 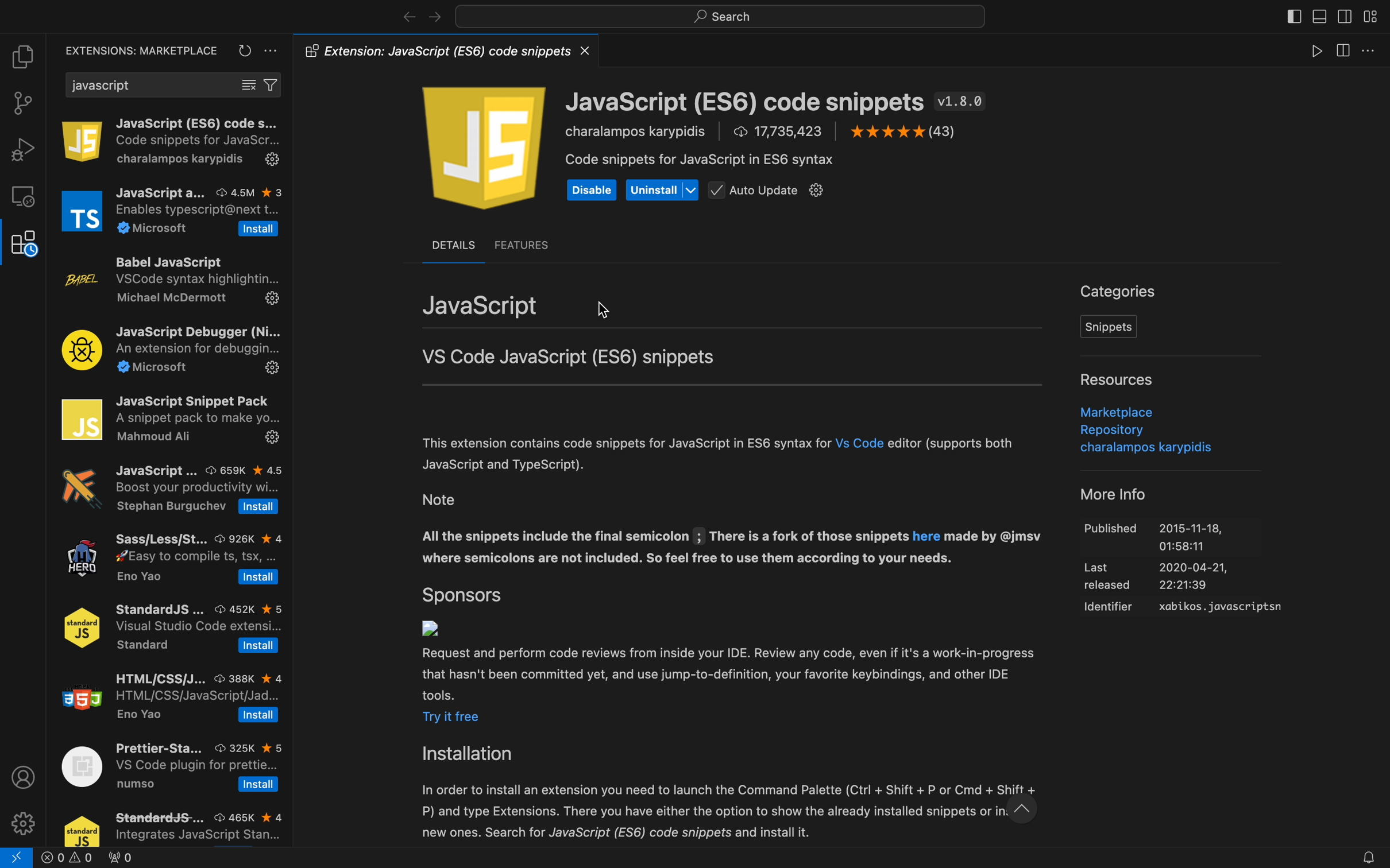 I want to click on Babel JavaScript
VSCode syntax highlightin...
Michael McDermott 5%, so click(x=171, y=281).